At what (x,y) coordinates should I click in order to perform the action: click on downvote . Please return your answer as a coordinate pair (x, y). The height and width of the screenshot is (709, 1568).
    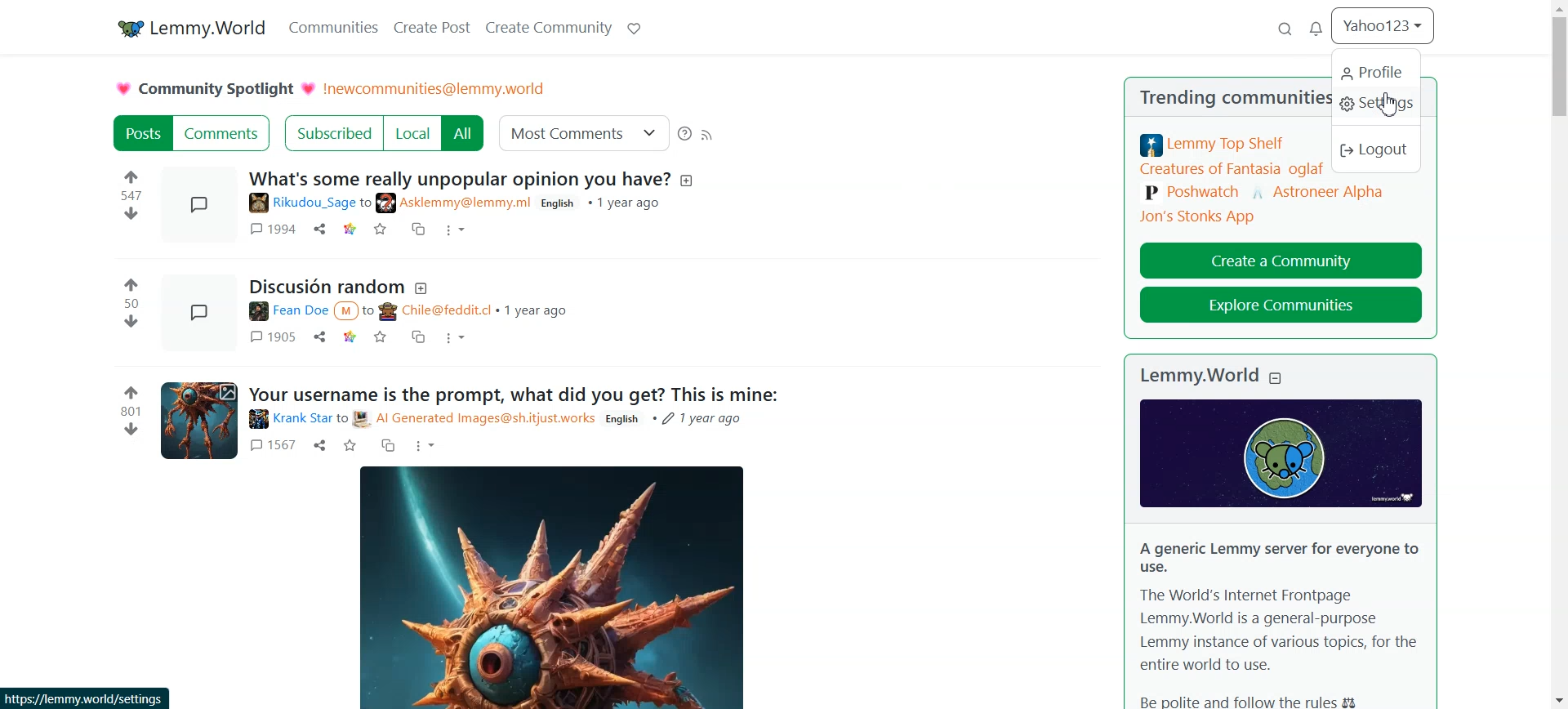
    Looking at the image, I should click on (131, 213).